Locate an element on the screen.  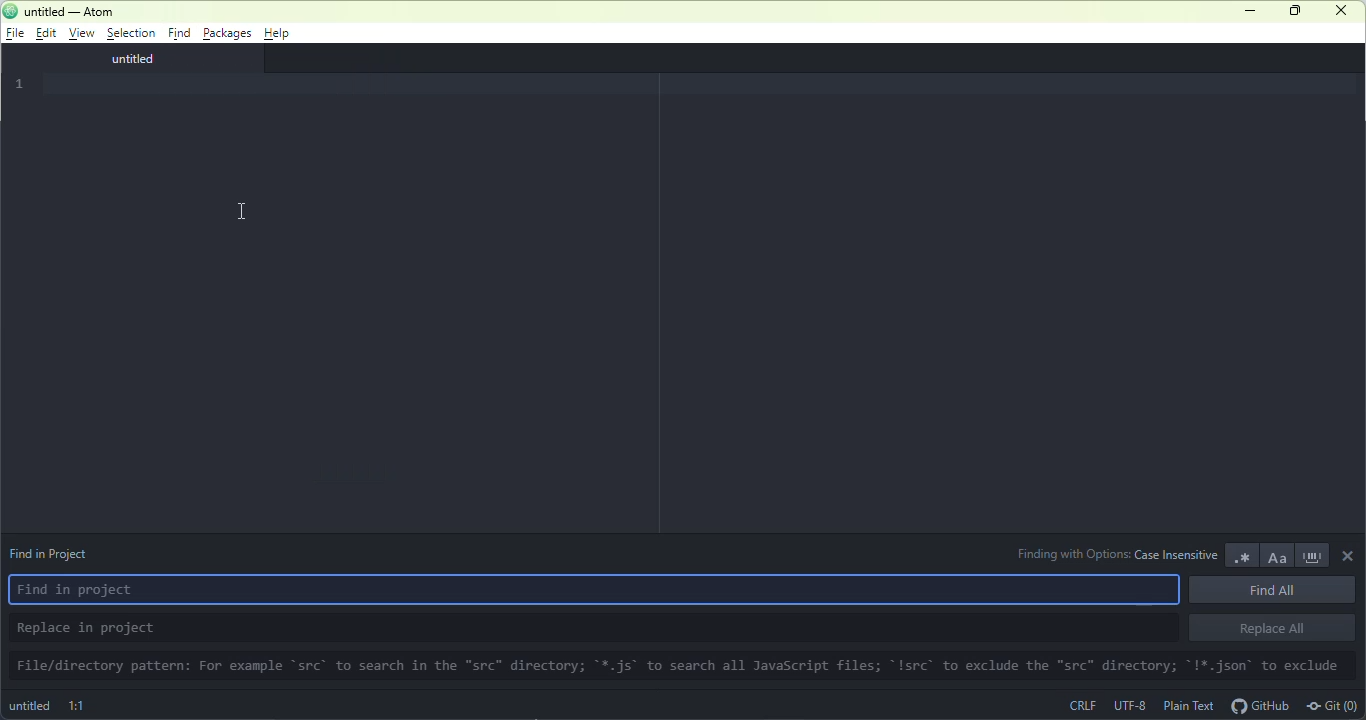
untitled is located at coordinates (119, 60).